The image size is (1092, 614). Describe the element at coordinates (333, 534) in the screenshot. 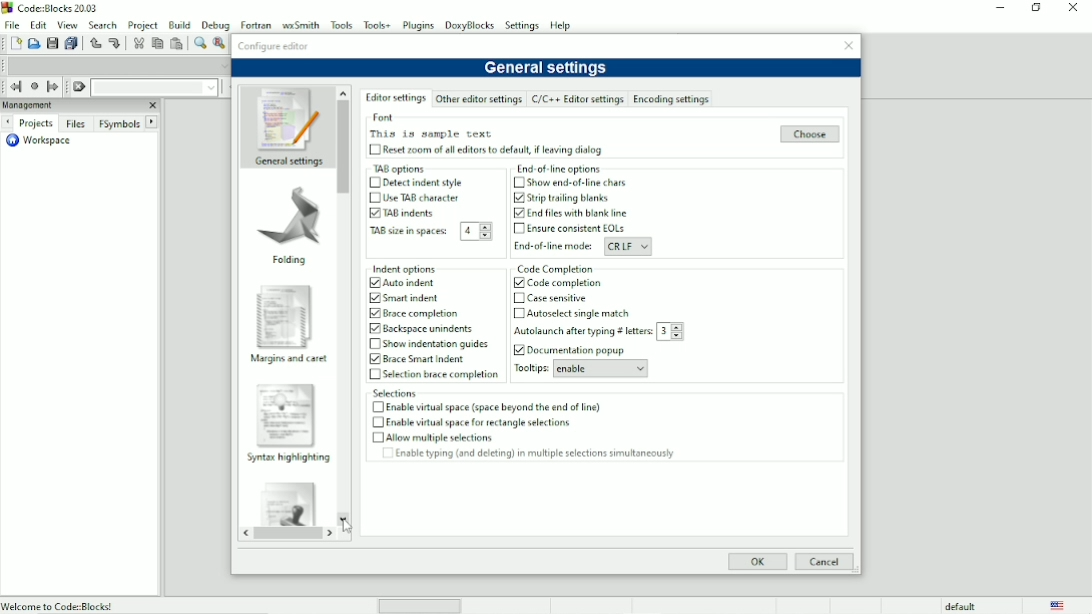

I see `Forward` at that location.